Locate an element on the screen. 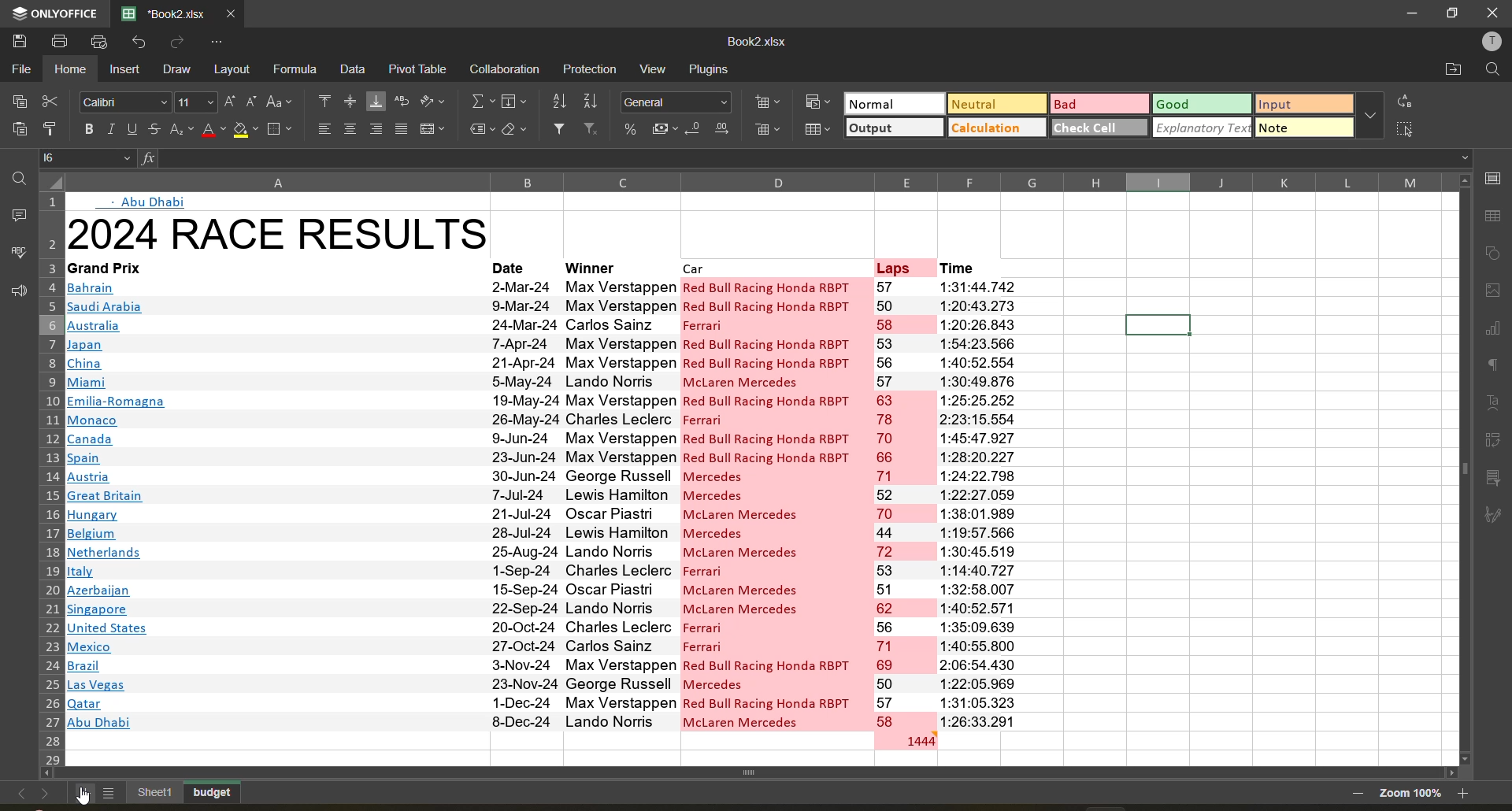  underline is located at coordinates (137, 131).